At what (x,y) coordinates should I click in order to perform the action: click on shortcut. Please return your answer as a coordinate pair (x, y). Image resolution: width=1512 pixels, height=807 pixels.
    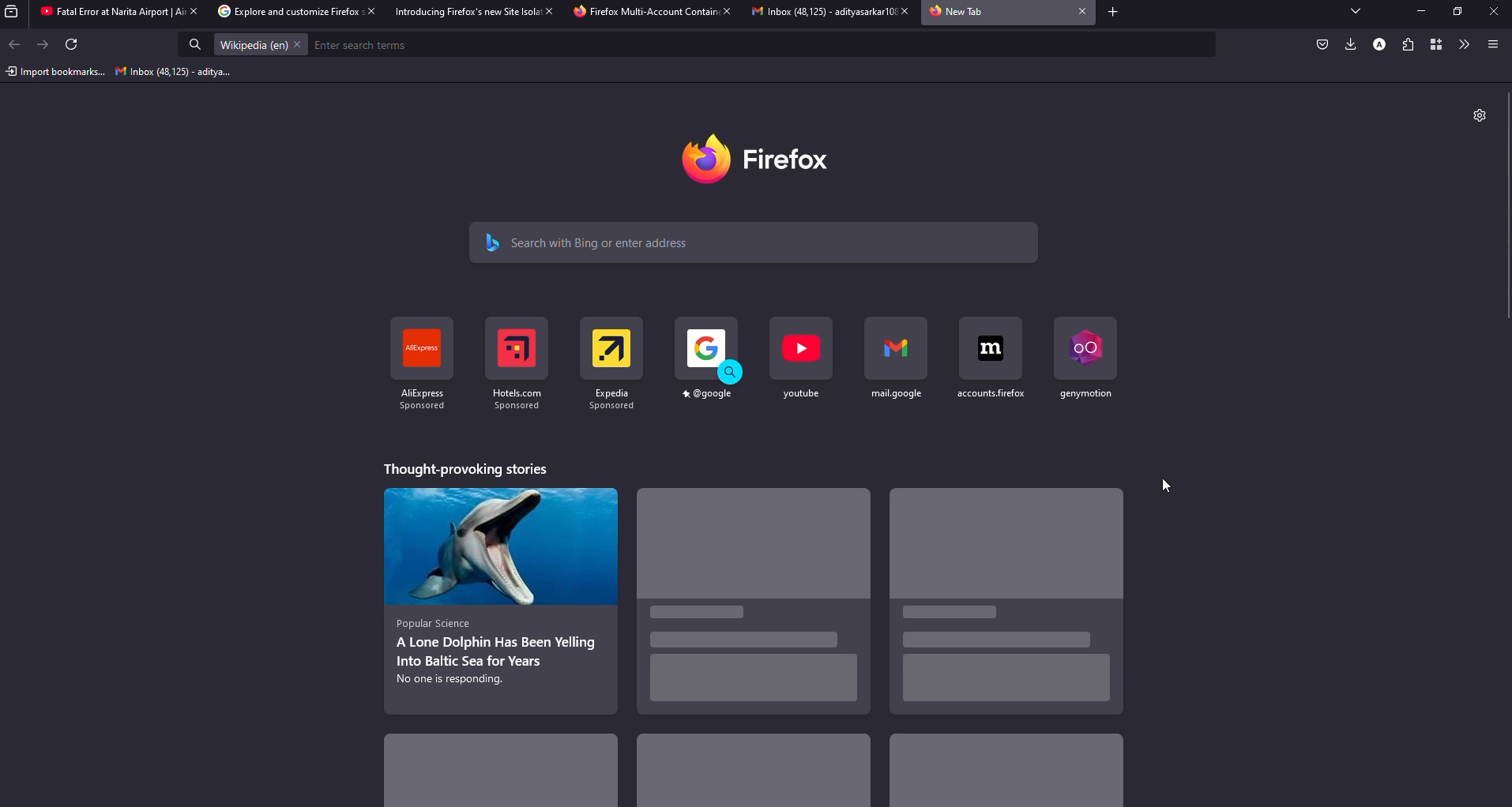
    Looking at the image, I should click on (990, 358).